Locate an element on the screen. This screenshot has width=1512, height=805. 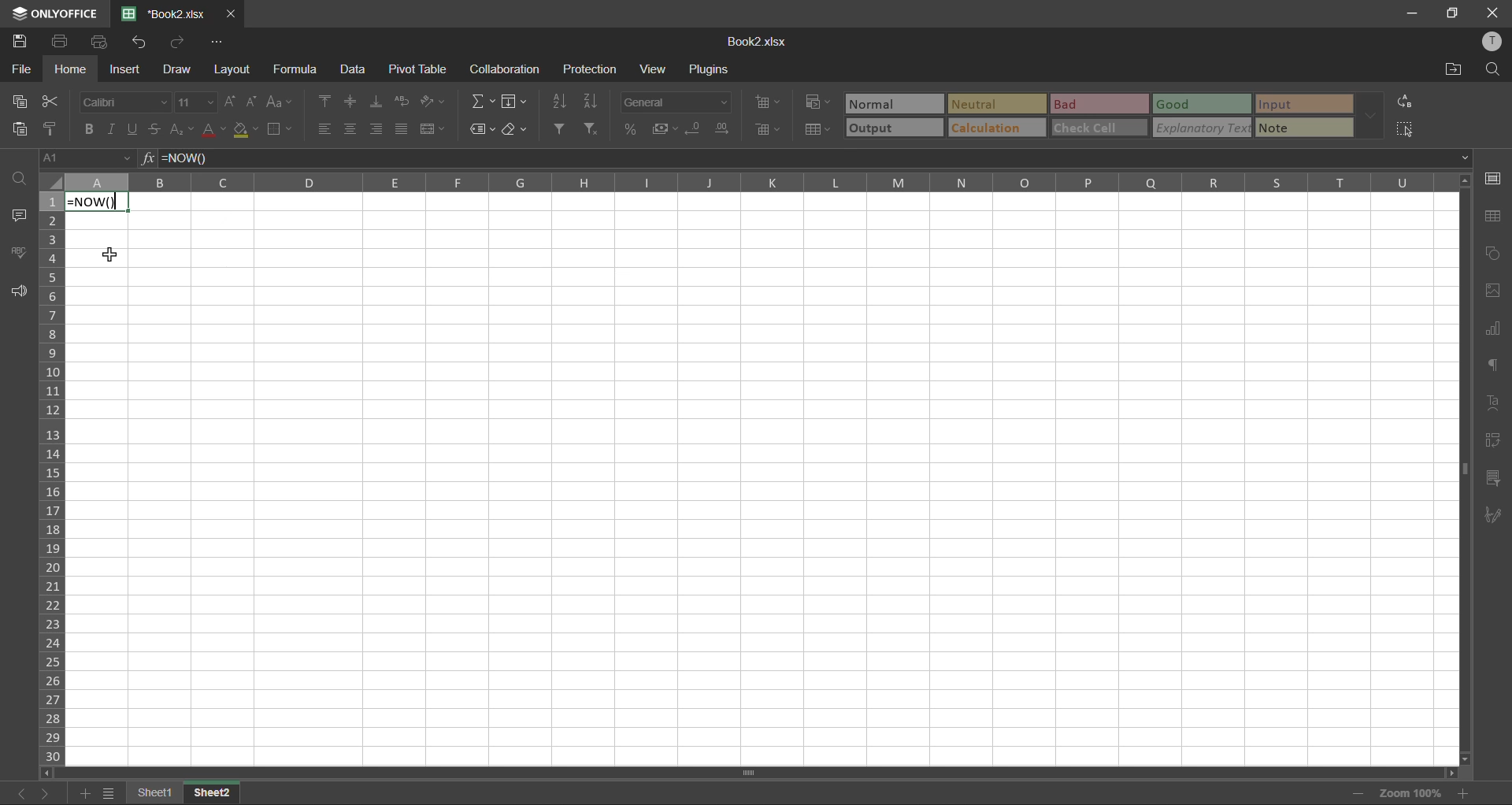
plugins is located at coordinates (713, 72).